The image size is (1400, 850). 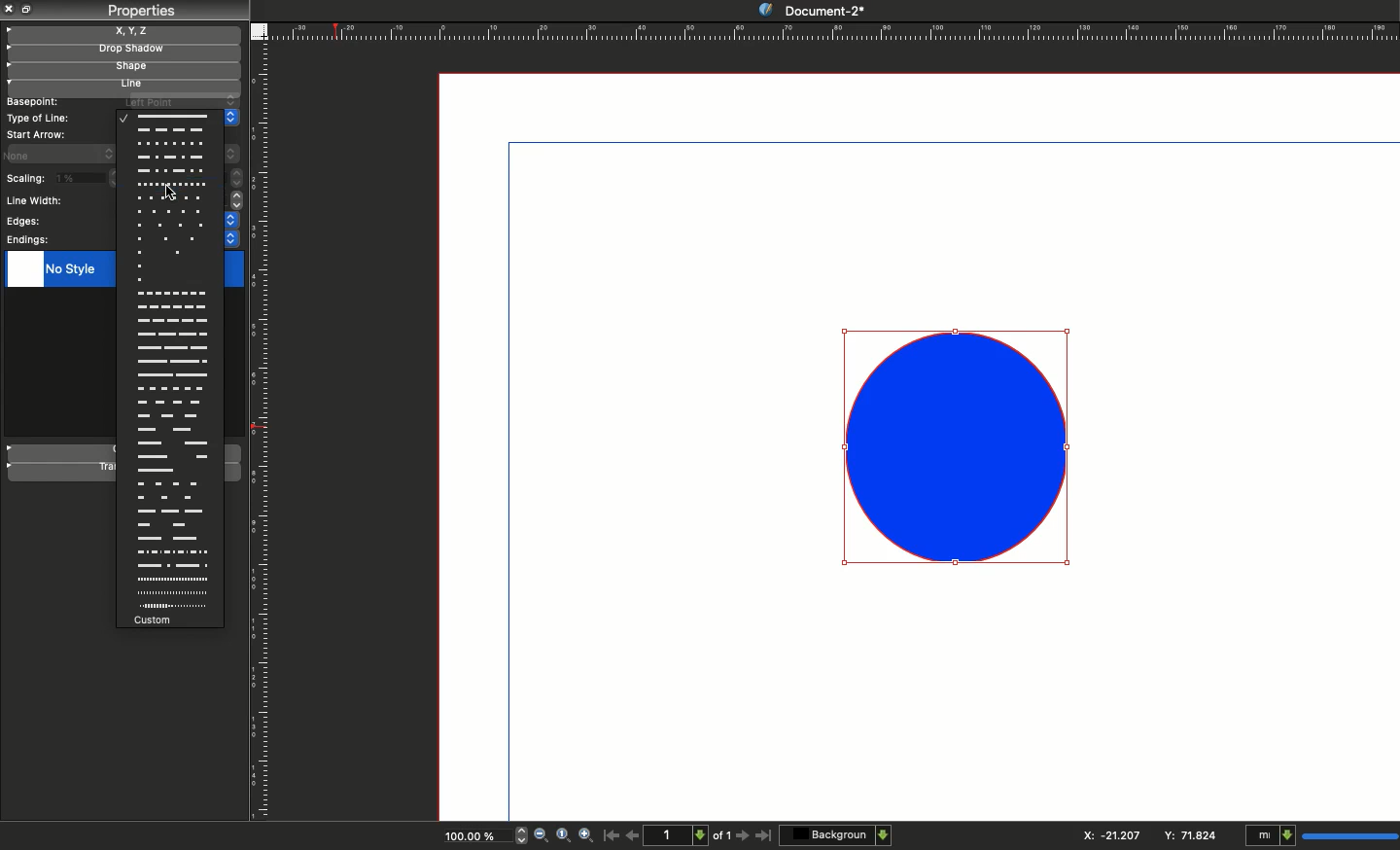 I want to click on line option, so click(x=170, y=512).